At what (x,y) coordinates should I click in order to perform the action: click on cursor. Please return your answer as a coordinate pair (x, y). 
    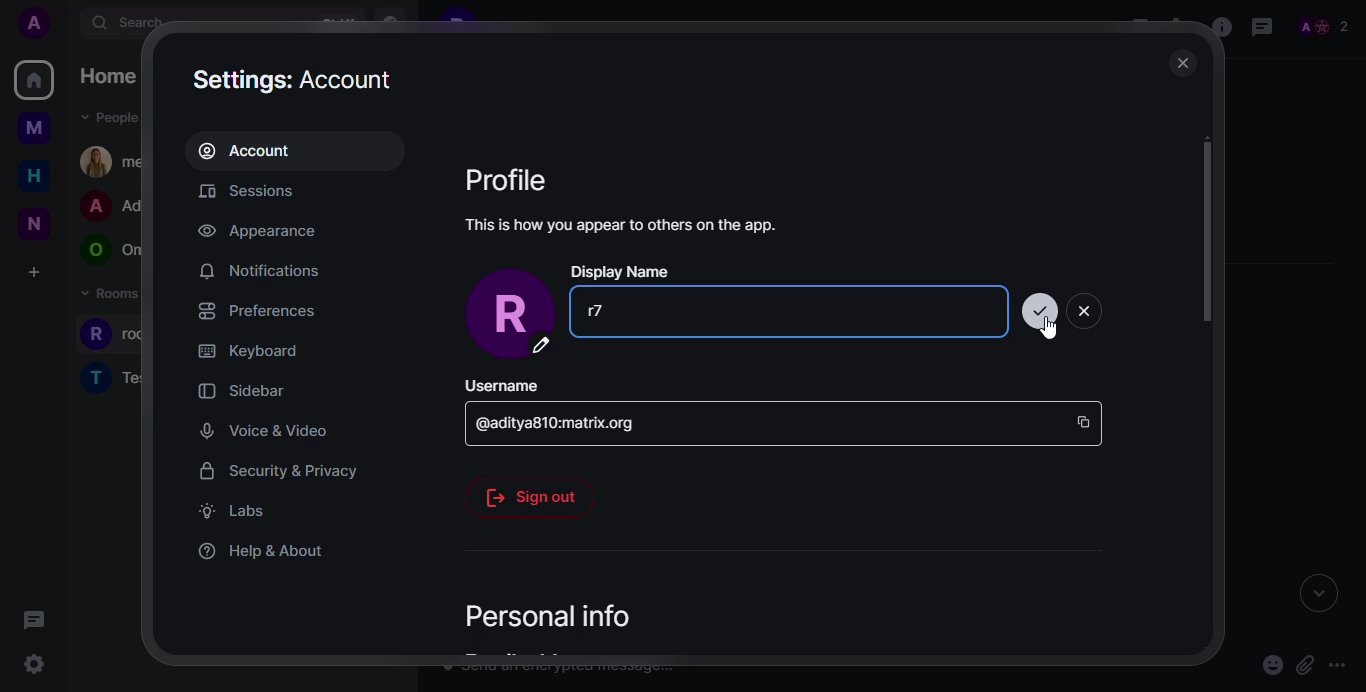
    Looking at the image, I should click on (1051, 329).